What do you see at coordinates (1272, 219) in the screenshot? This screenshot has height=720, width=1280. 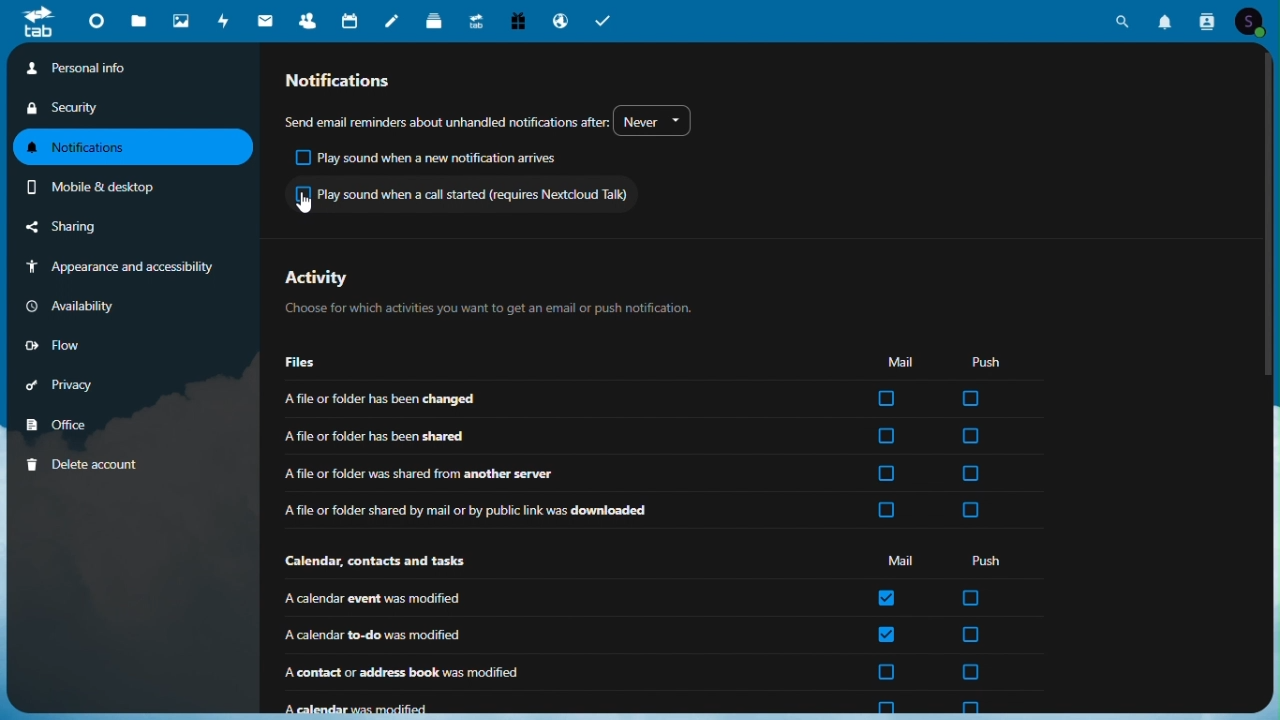 I see `Vertical scrollbar` at bounding box center [1272, 219].